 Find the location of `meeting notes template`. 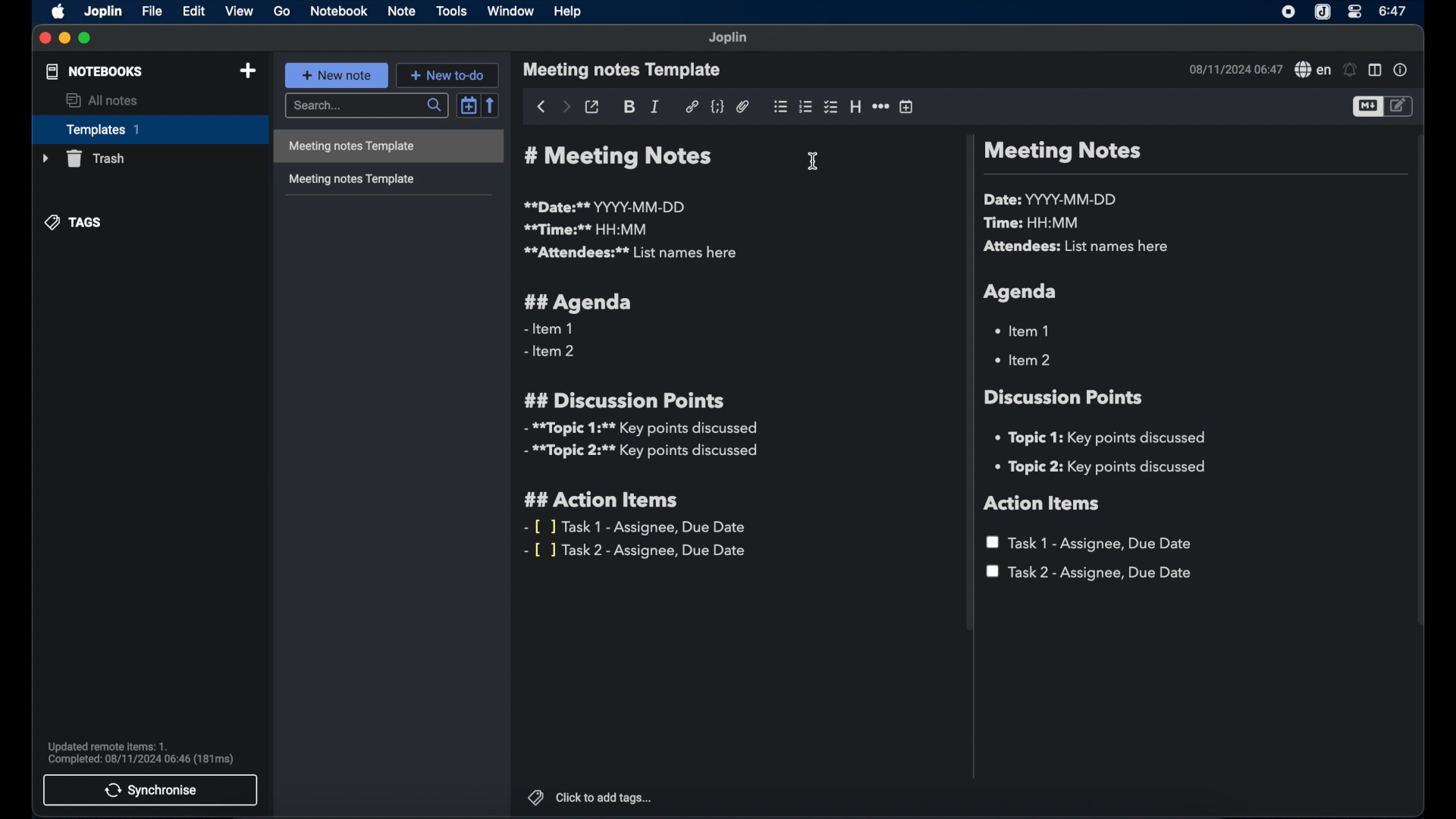

meeting notes template is located at coordinates (388, 179).